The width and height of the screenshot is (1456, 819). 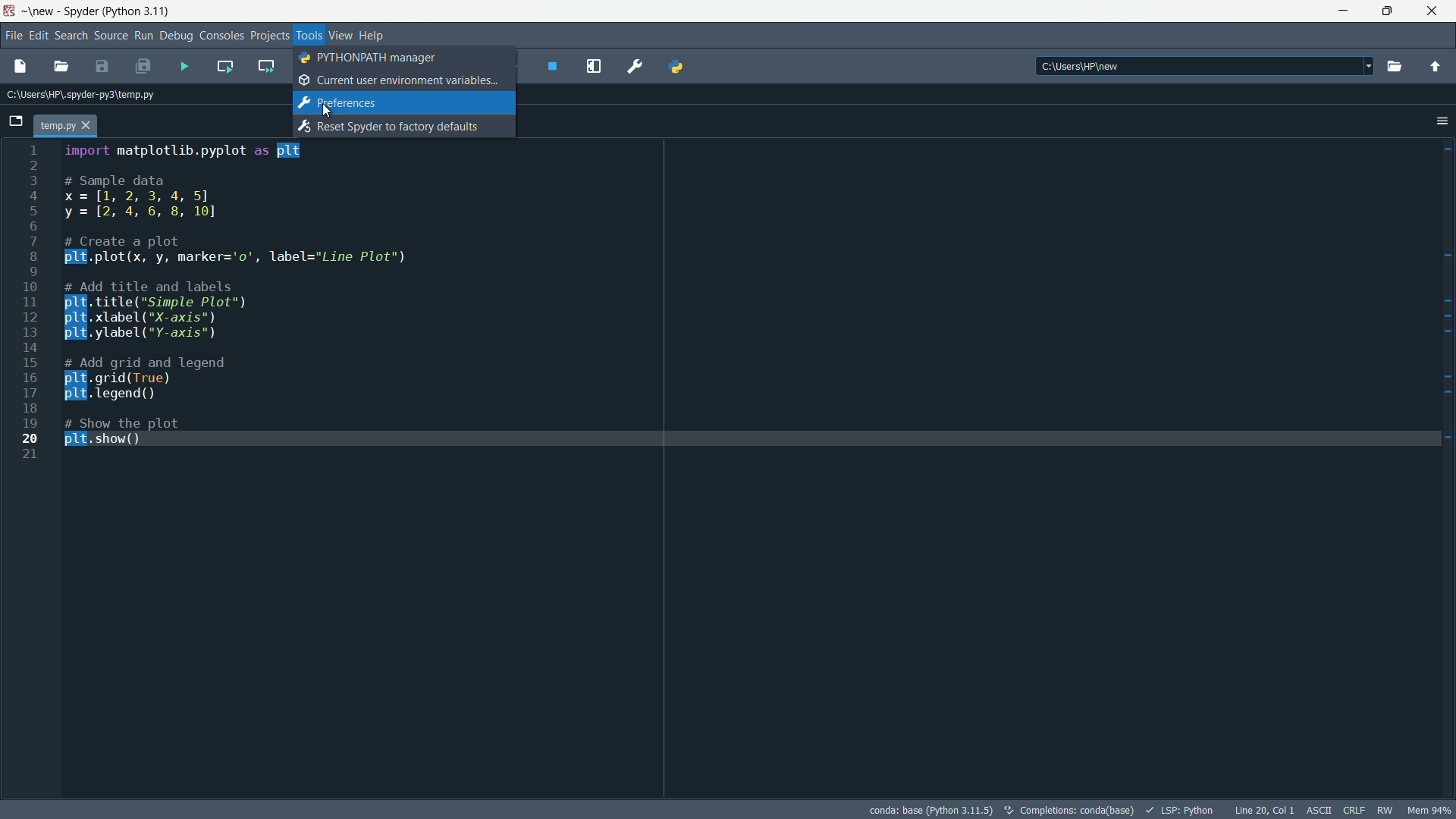 I want to click on parent directory, so click(x=1436, y=67).